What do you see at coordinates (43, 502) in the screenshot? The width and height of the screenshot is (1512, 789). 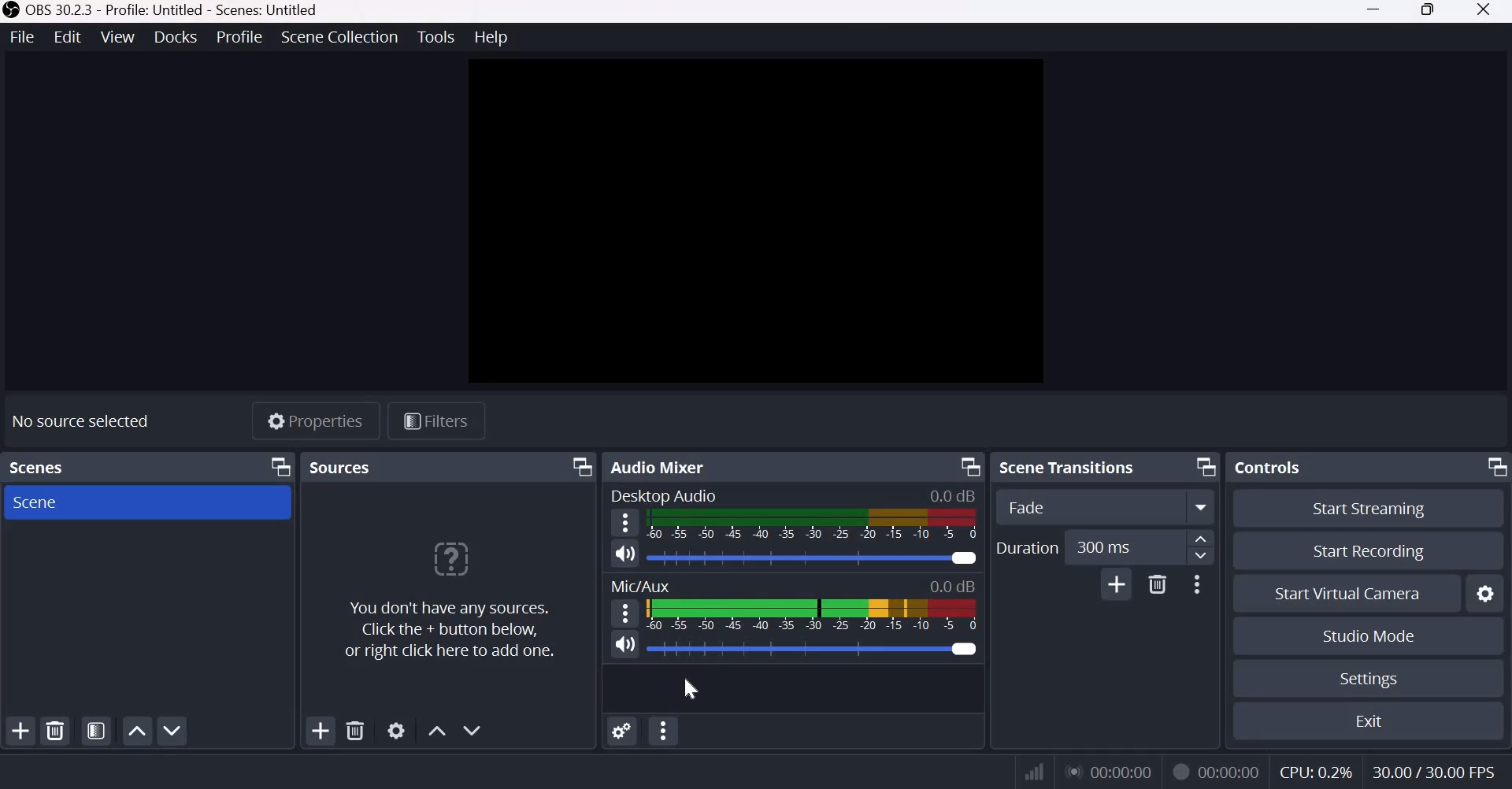 I see `Scene` at bounding box center [43, 502].